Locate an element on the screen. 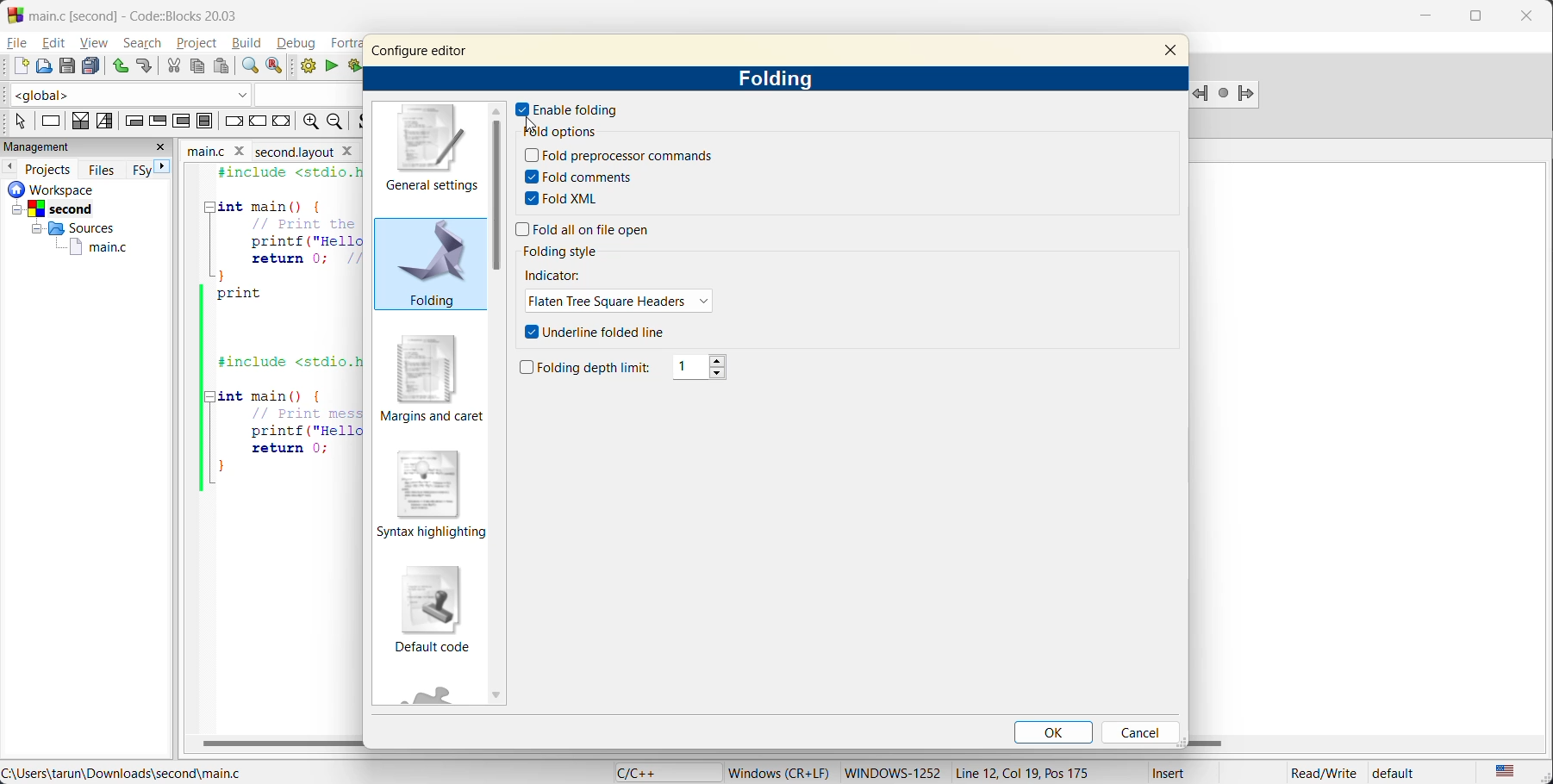 The width and height of the screenshot is (1553, 784). fold options is located at coordinates (558, 132).